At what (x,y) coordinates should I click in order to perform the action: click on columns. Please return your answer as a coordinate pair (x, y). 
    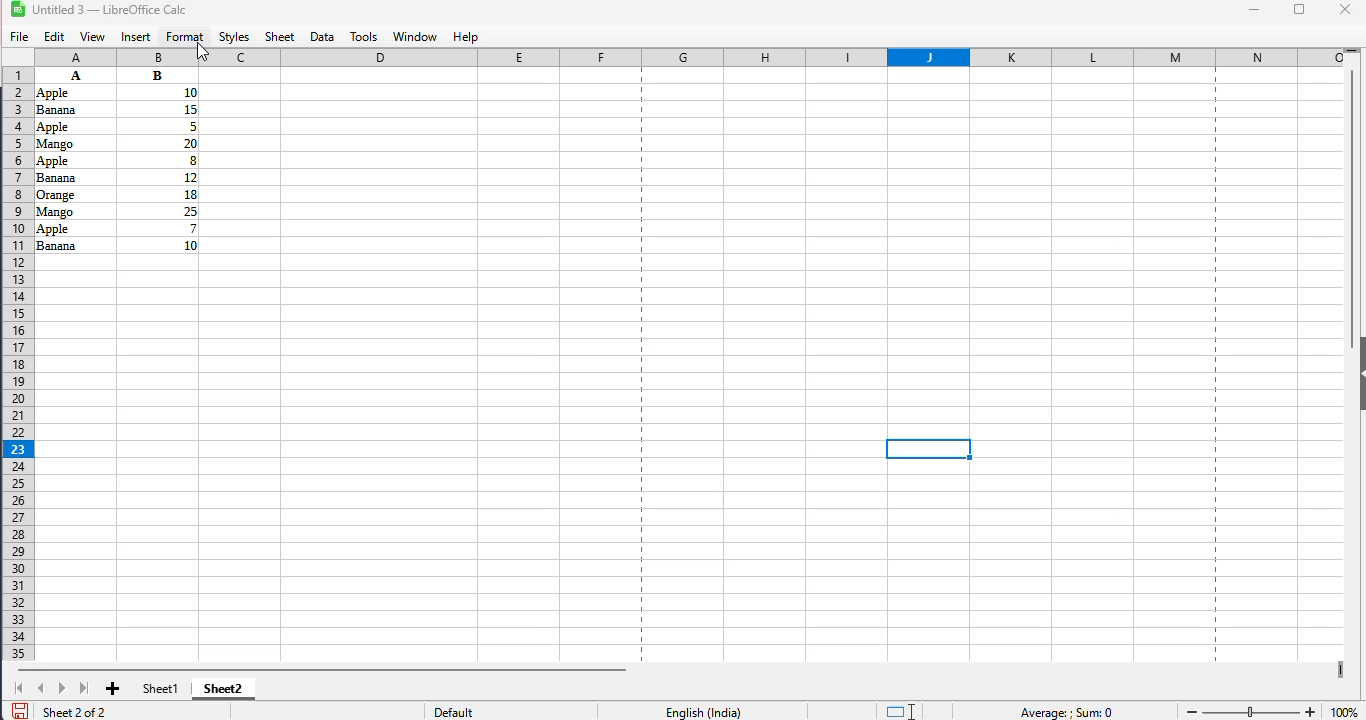
    Looking at the image, I should click on (704, 57).